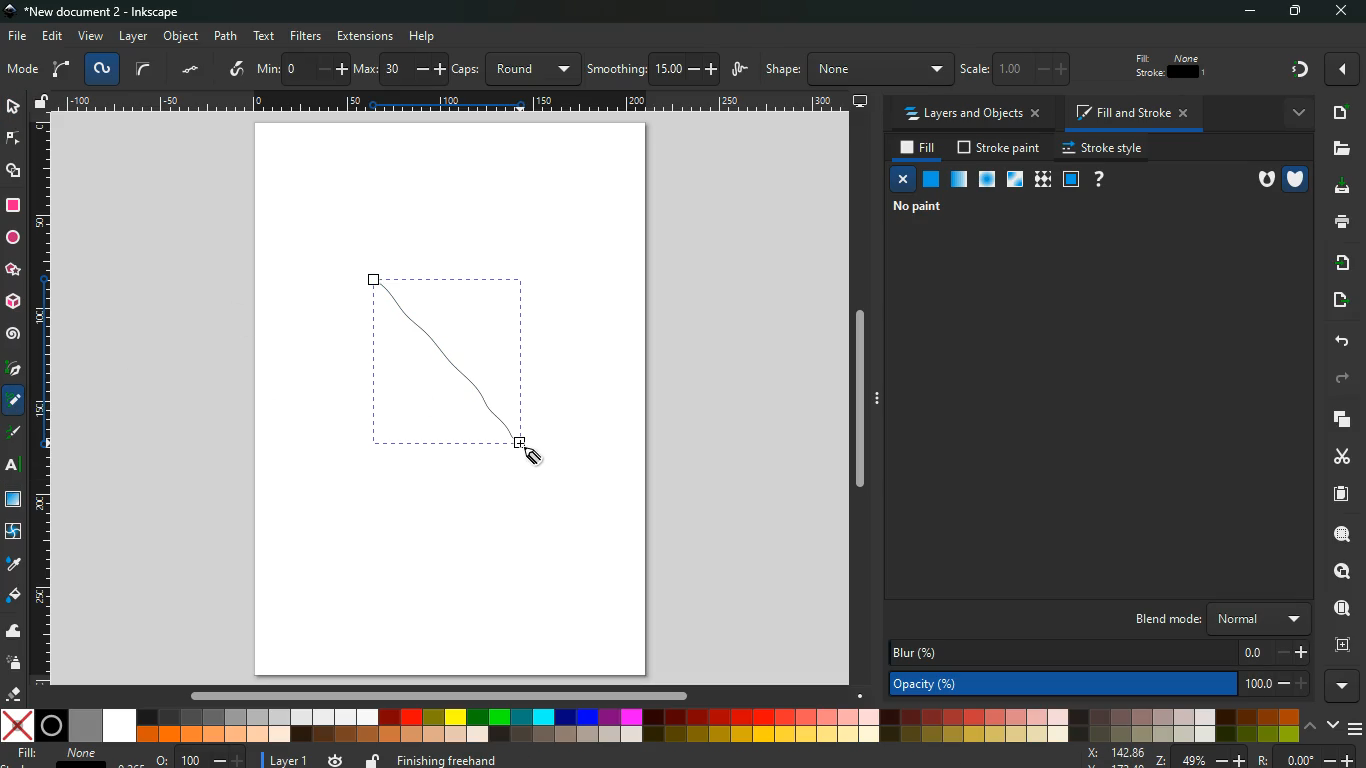  What do you see at coordinates (1338, 71) in the screenshot?
I see `` at bounding box center [1338, 71].